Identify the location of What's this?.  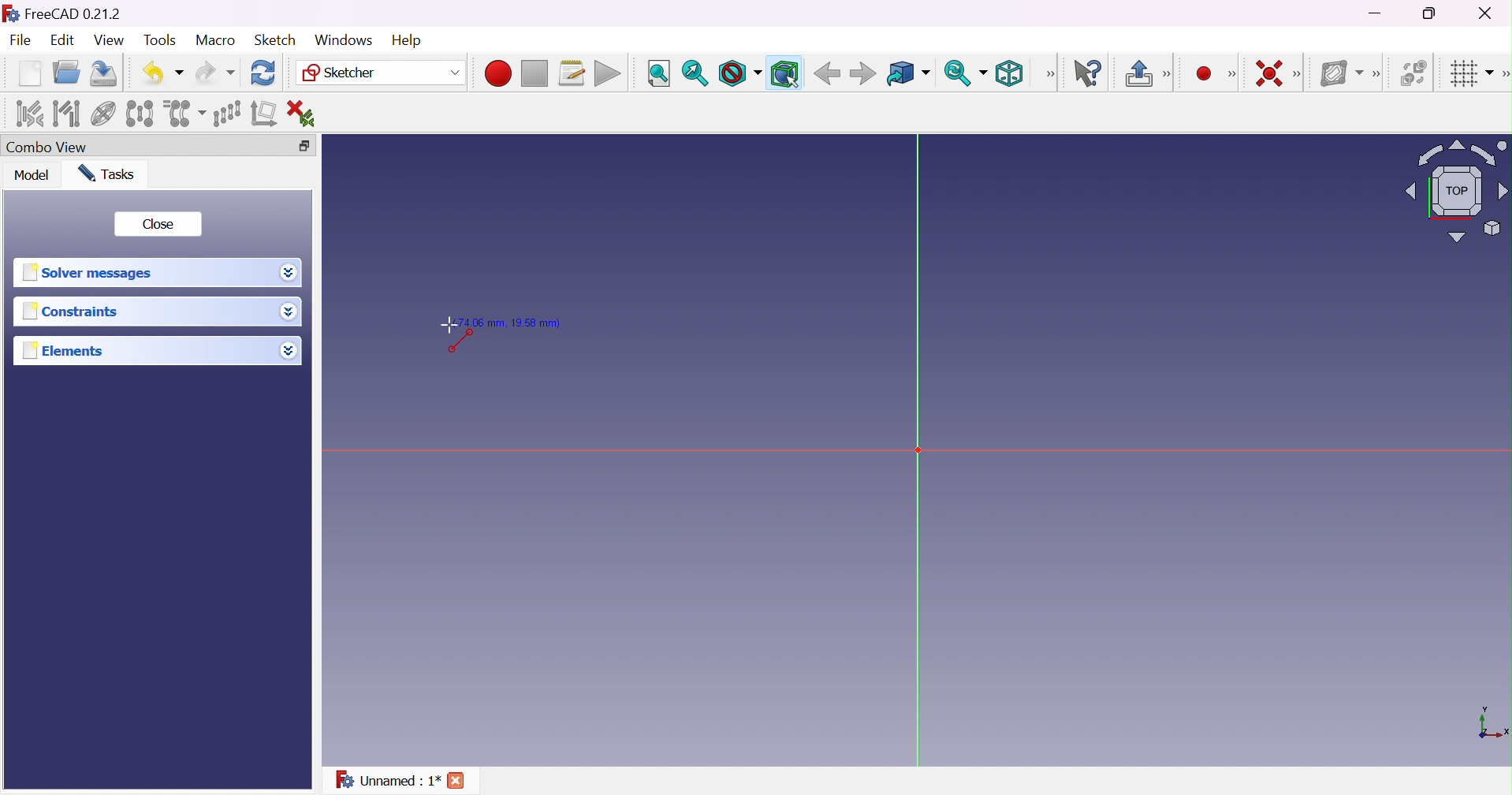
(1091, 74).